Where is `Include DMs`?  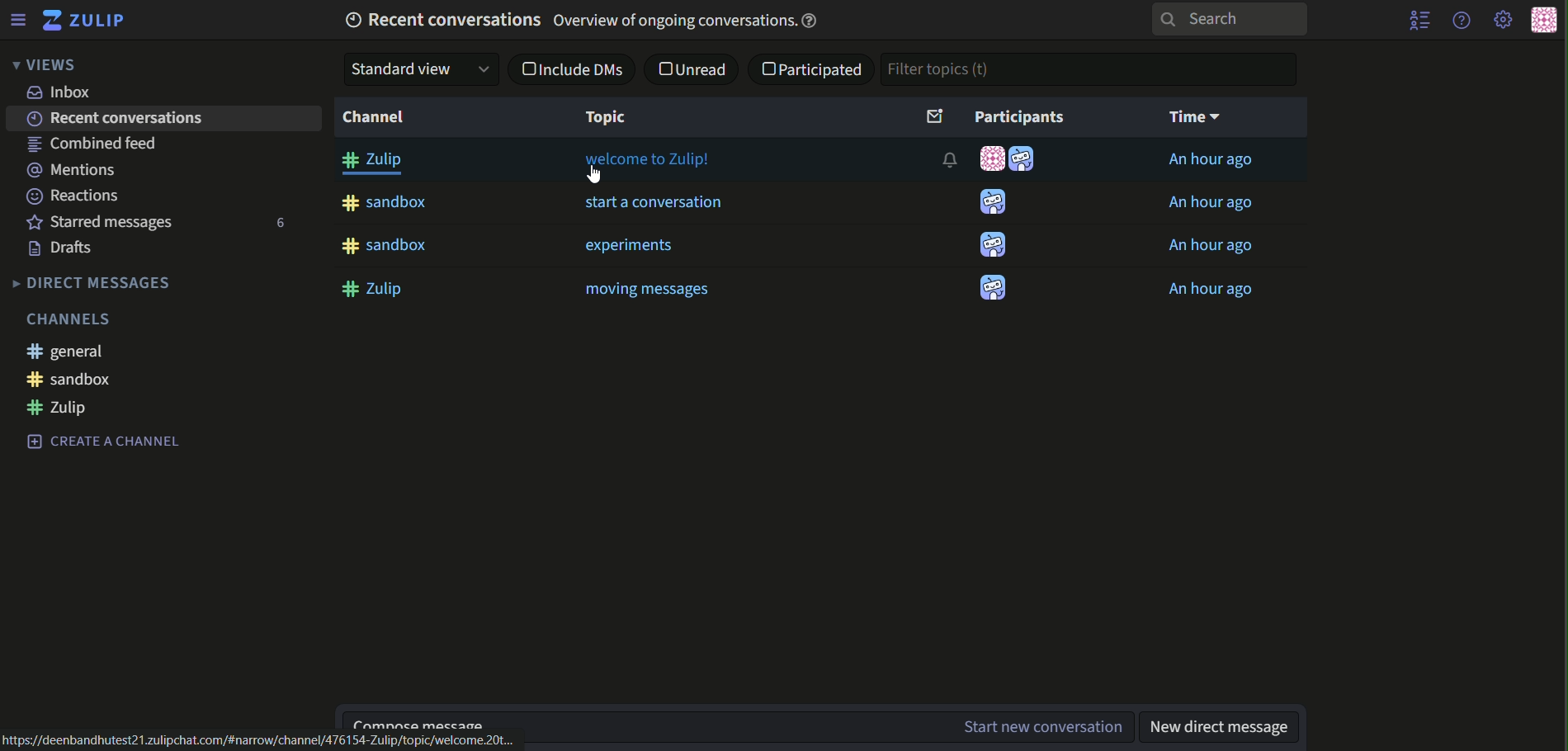 Include DMs is located at coordinates (583, 70).